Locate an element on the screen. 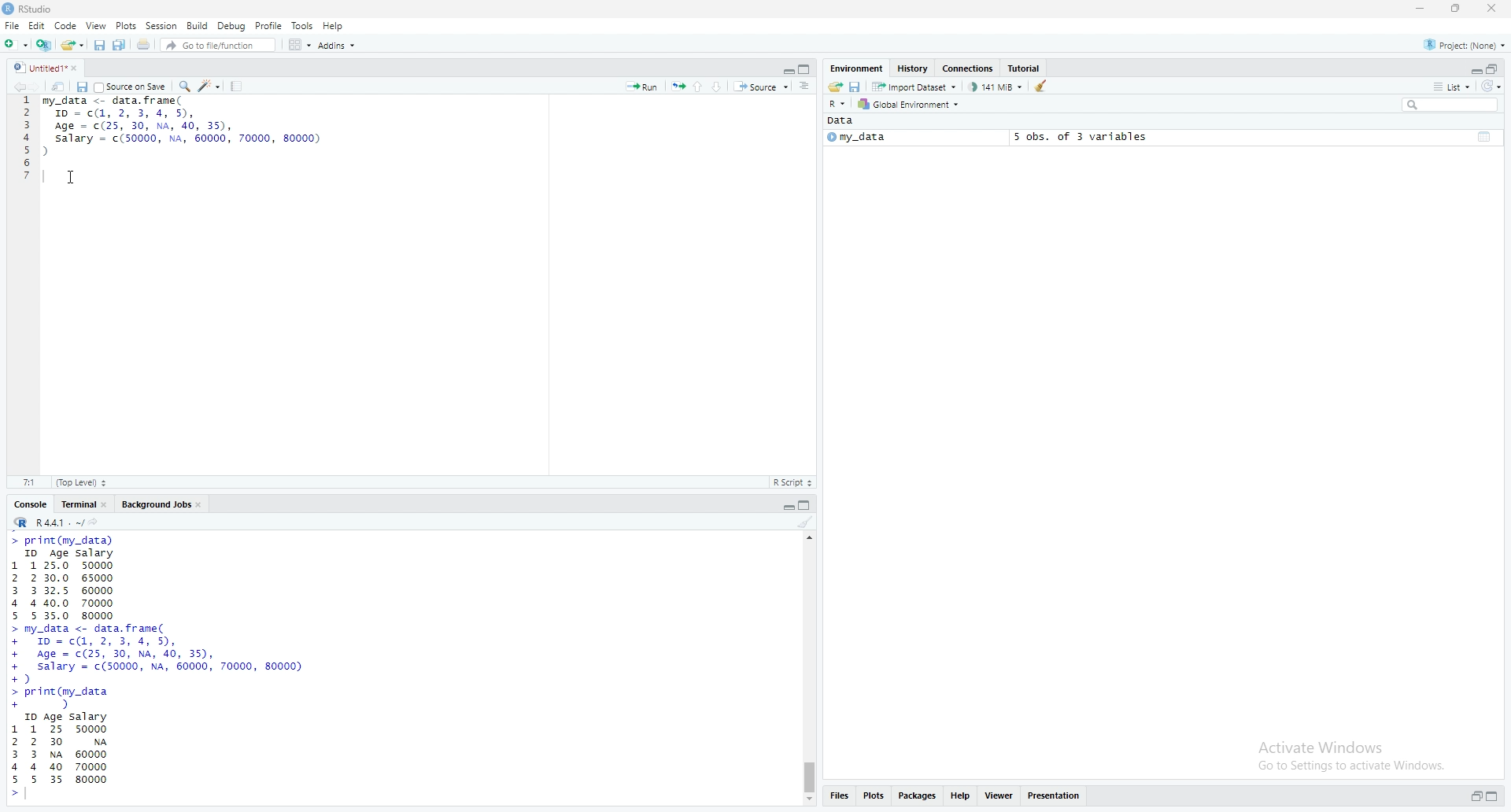 The height and width of the screenshot is (812, 1511). Background jobs is located at coordinates (164, 506).